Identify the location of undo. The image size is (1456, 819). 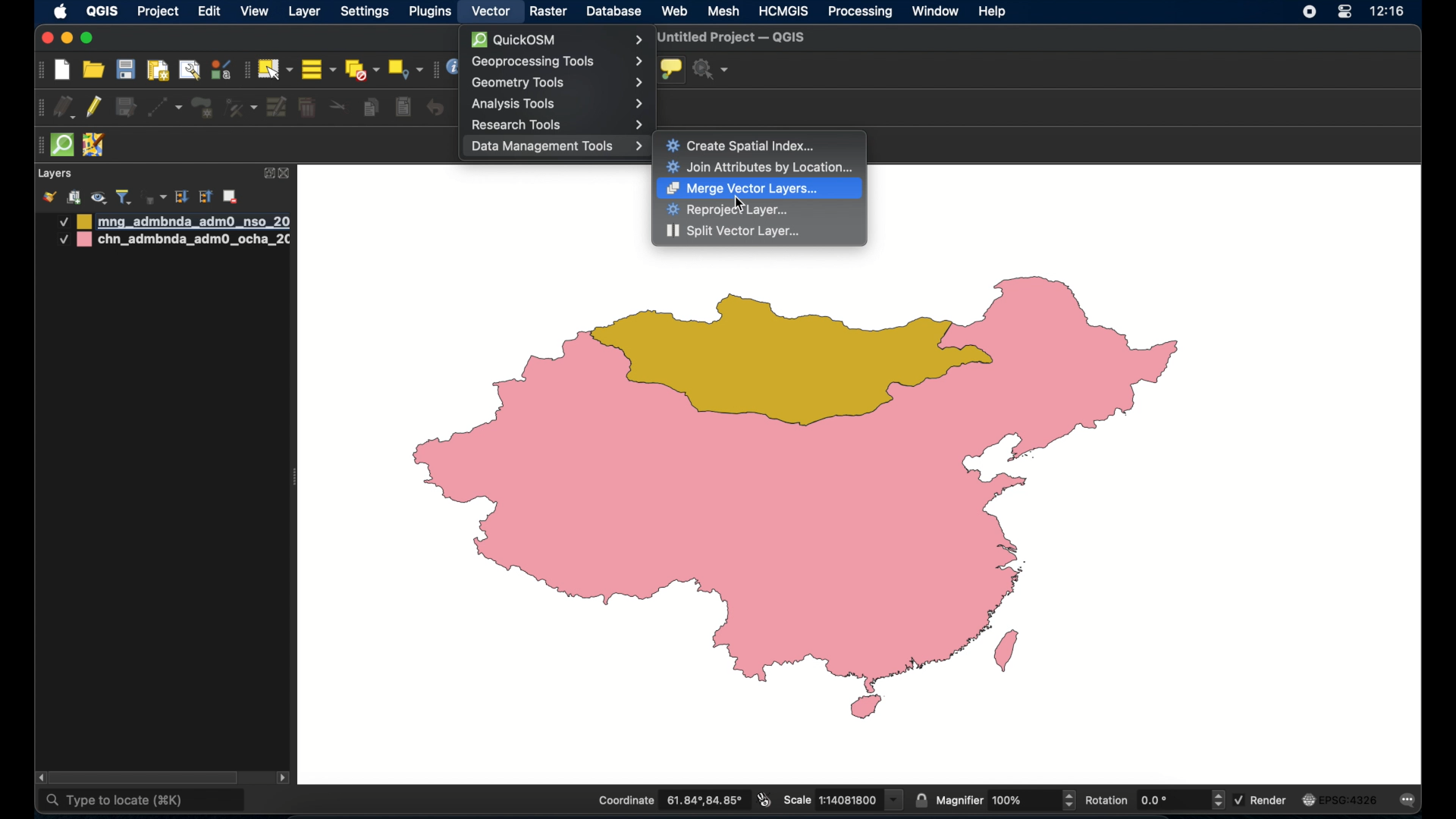
(436, 108).